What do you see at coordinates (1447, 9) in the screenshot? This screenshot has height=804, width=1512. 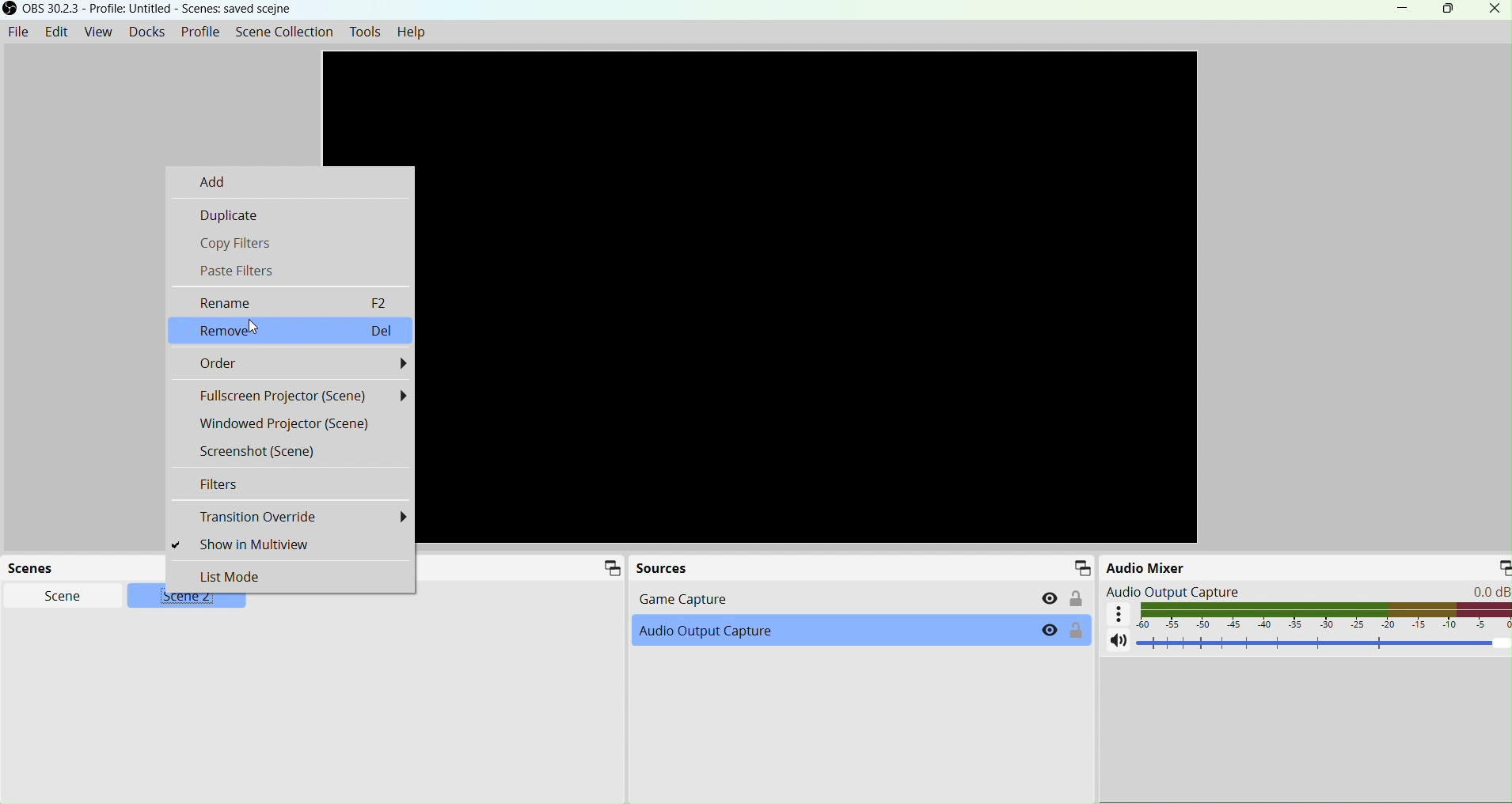 I see `Restore down ` at bounding box center [1447, 9].